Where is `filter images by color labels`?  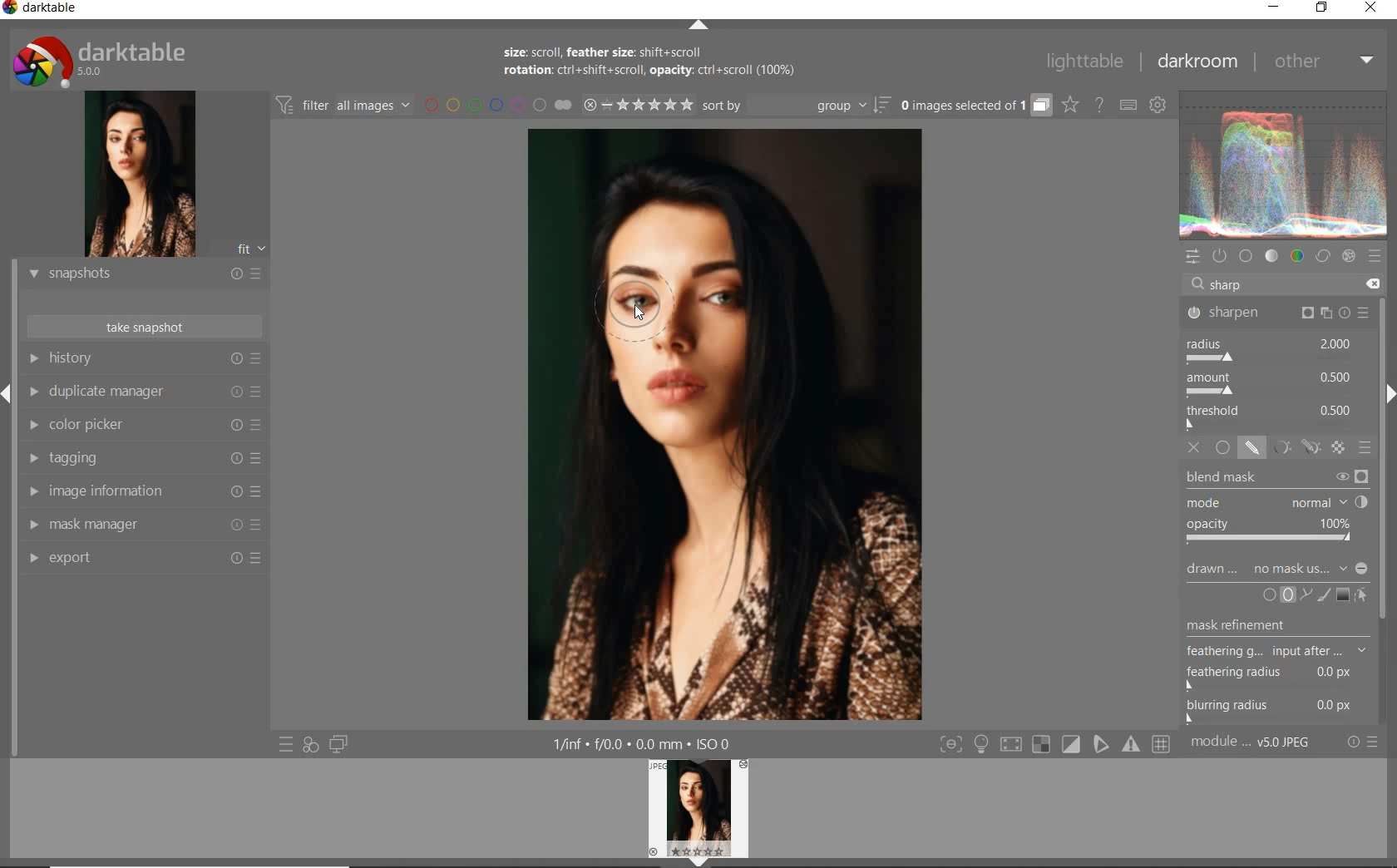
filter images by color labels is located at coordinates (482, 106).